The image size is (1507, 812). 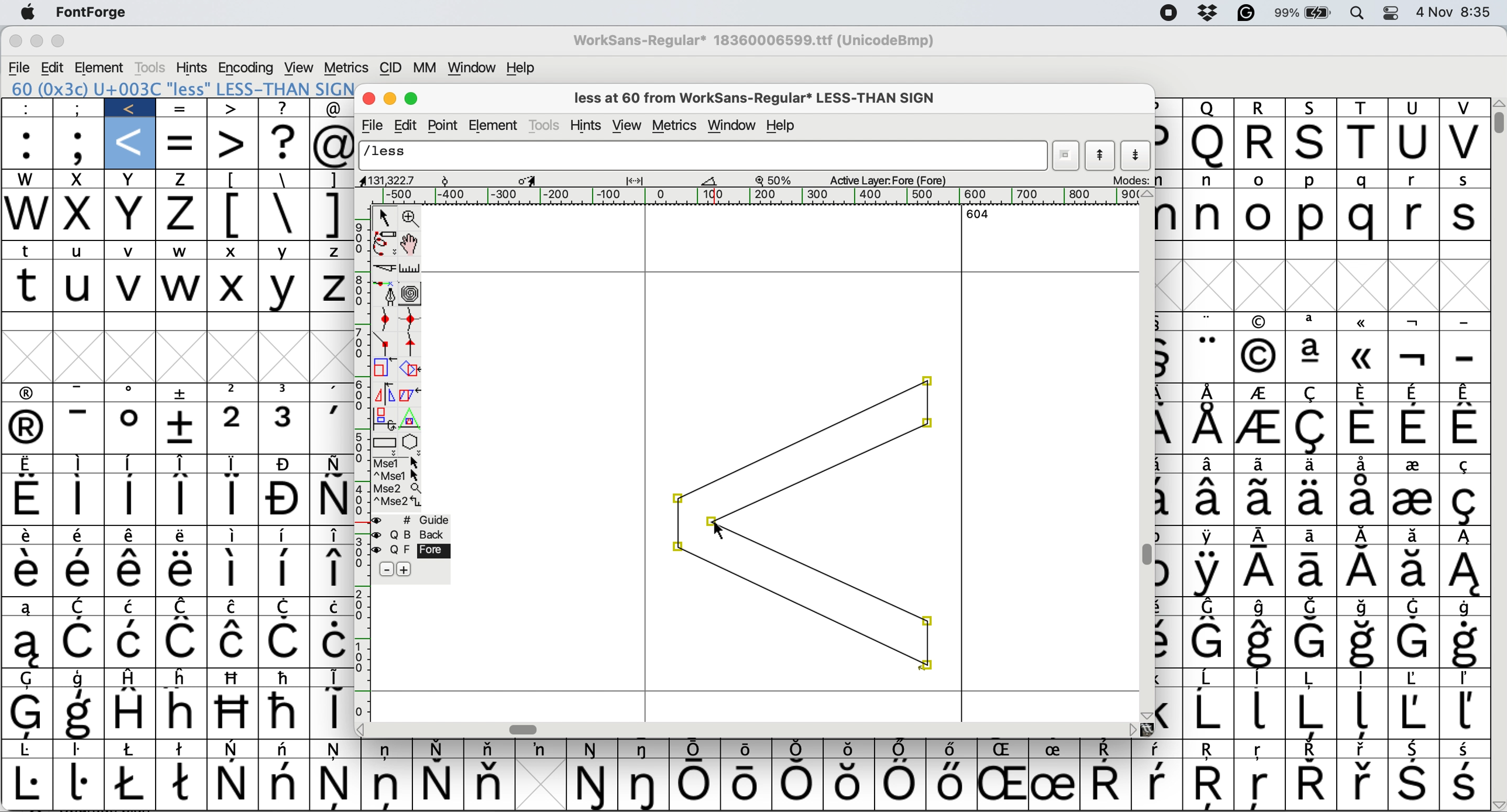 What do you see at coordinates (1259, 679) in the screenshot?
I see `Symbol` at bounding box center [1259, 679].